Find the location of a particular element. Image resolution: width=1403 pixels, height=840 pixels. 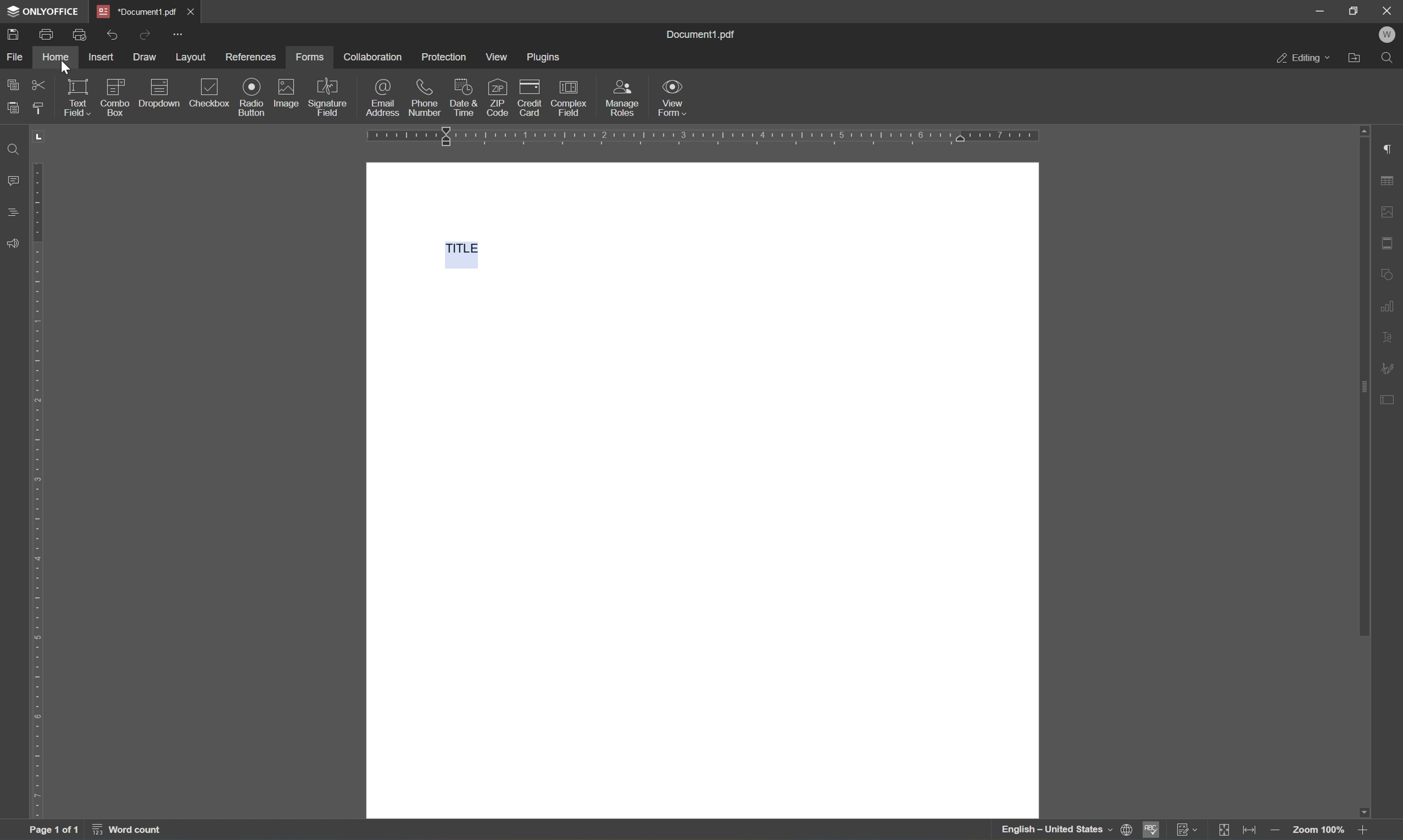

find is located at coordinates (1391, 57).